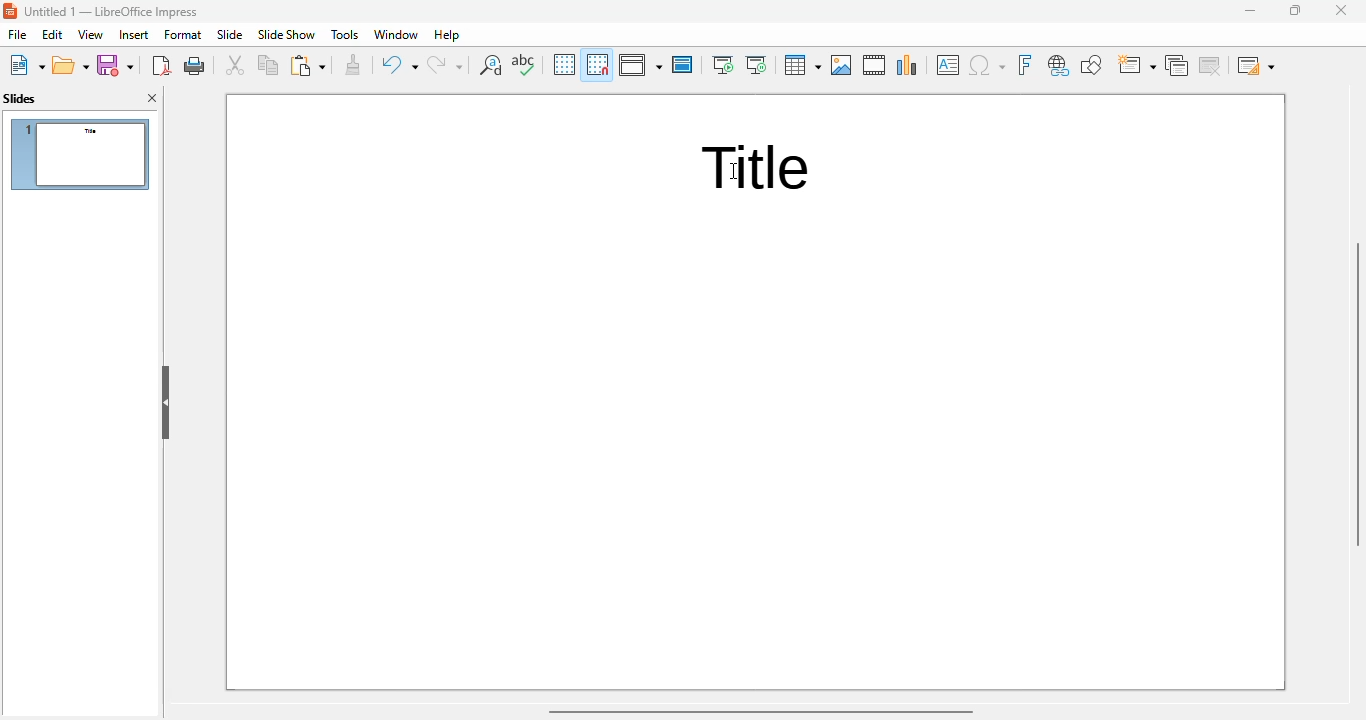 The image size is (1366, 720). Describe the element at coordinates (113, 11) in the screenshot. I see `title` at that location.